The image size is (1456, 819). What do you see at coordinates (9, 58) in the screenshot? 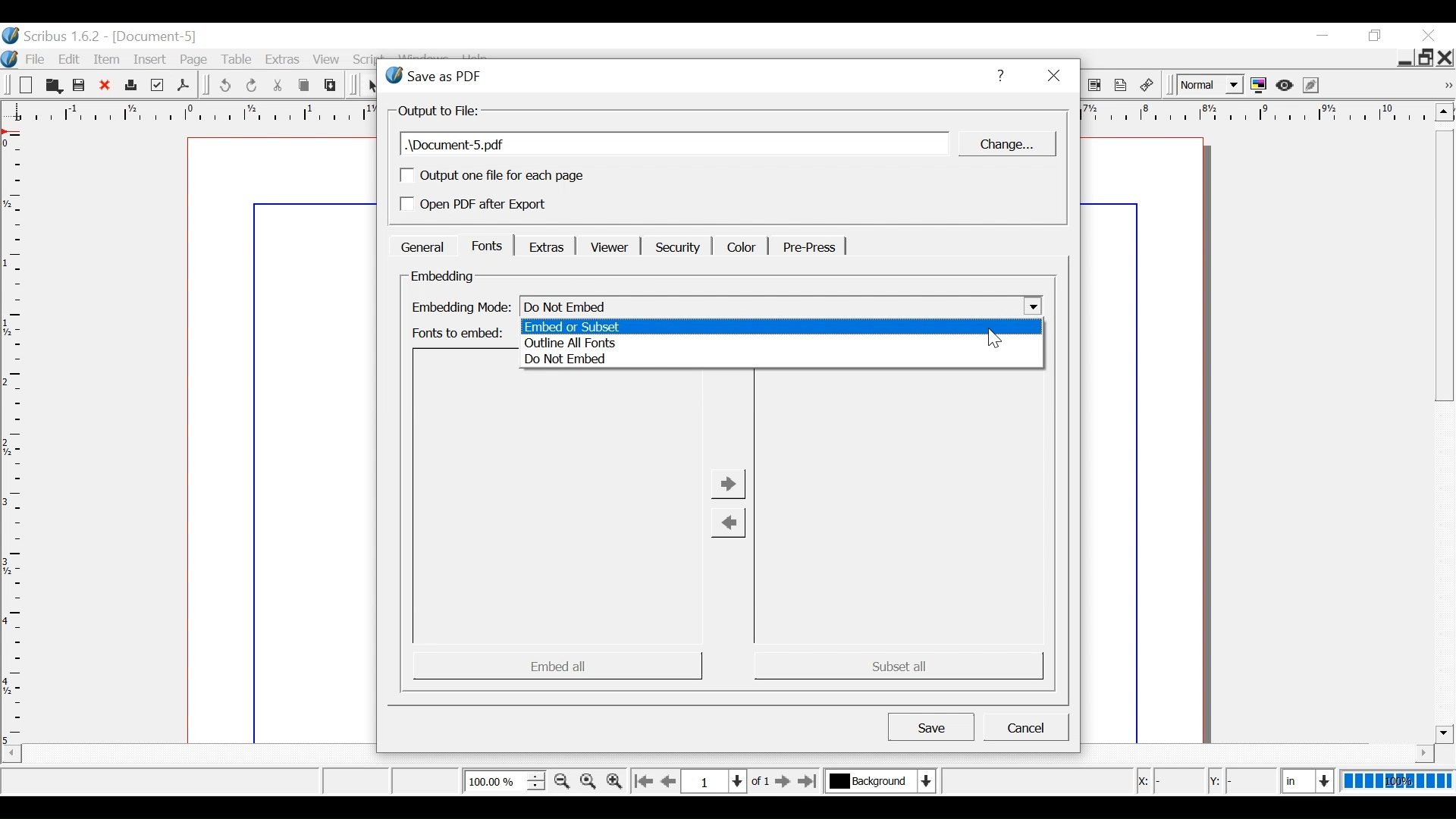
I see `logo` at bounding box center [9, 58].